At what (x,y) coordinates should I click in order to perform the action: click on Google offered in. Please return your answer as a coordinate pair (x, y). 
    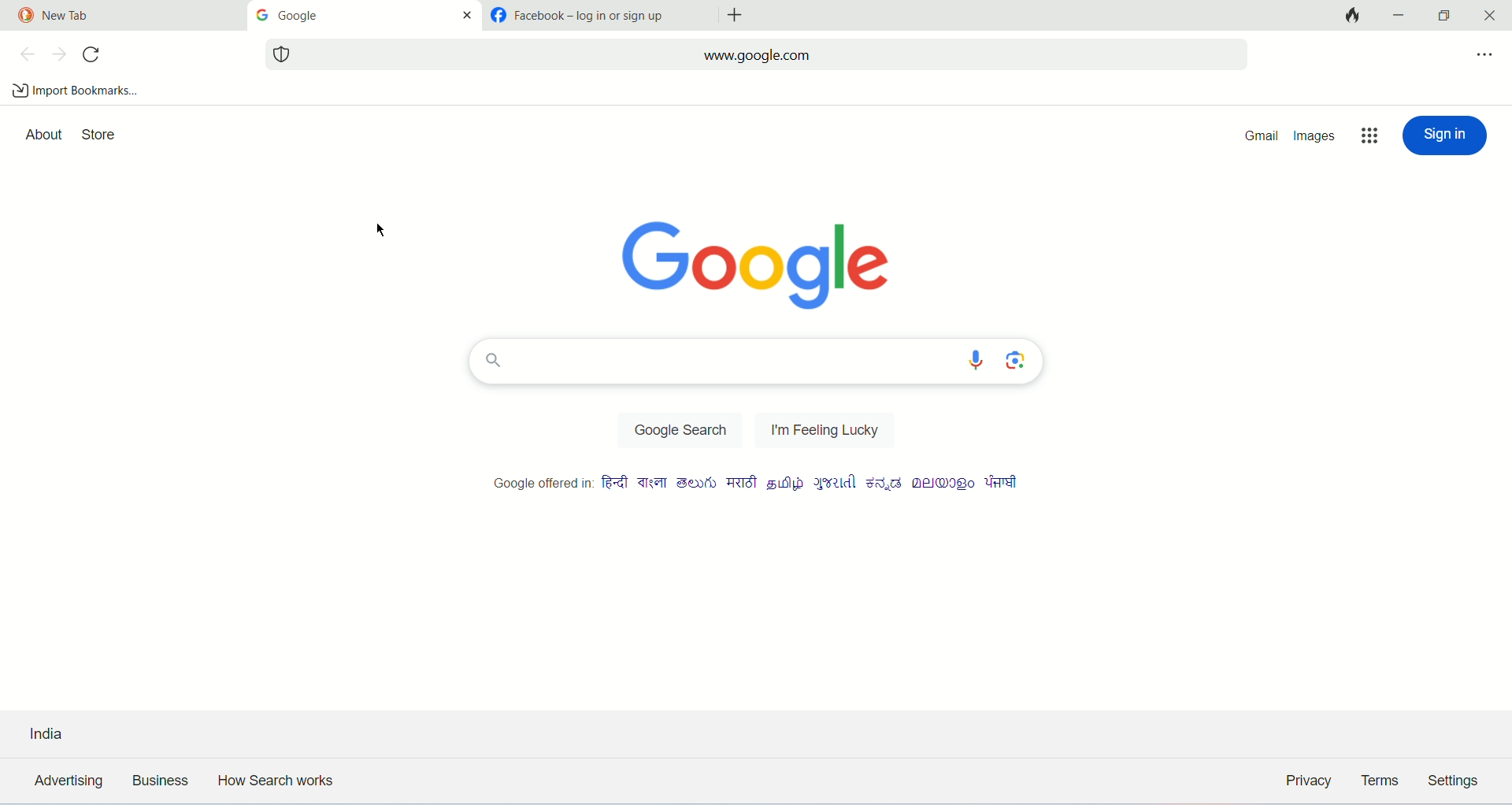
    Looking at the image, I should click on (754, 484).